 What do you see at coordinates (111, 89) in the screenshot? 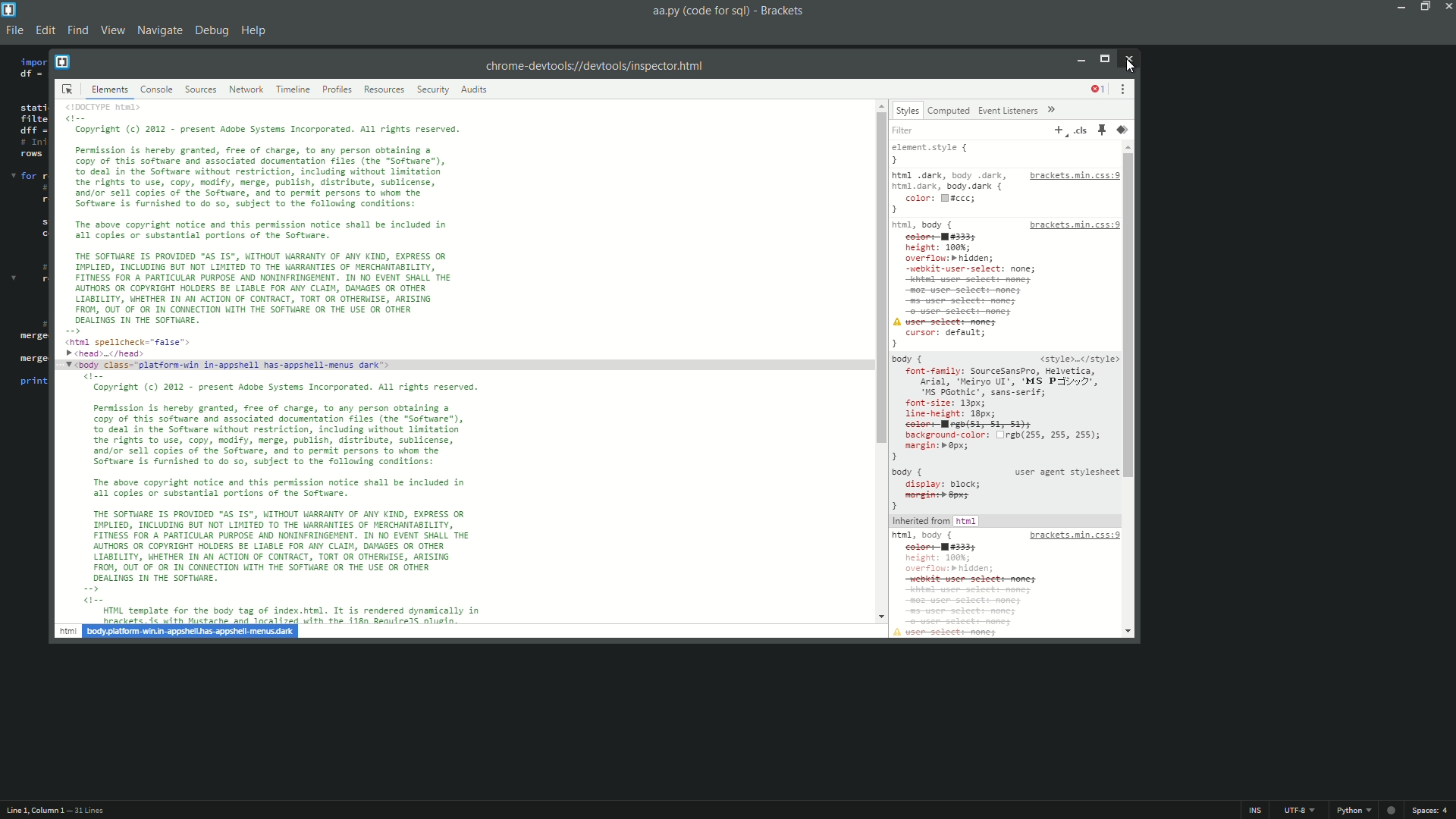
I see `elements` at bounding box center [111, 89].